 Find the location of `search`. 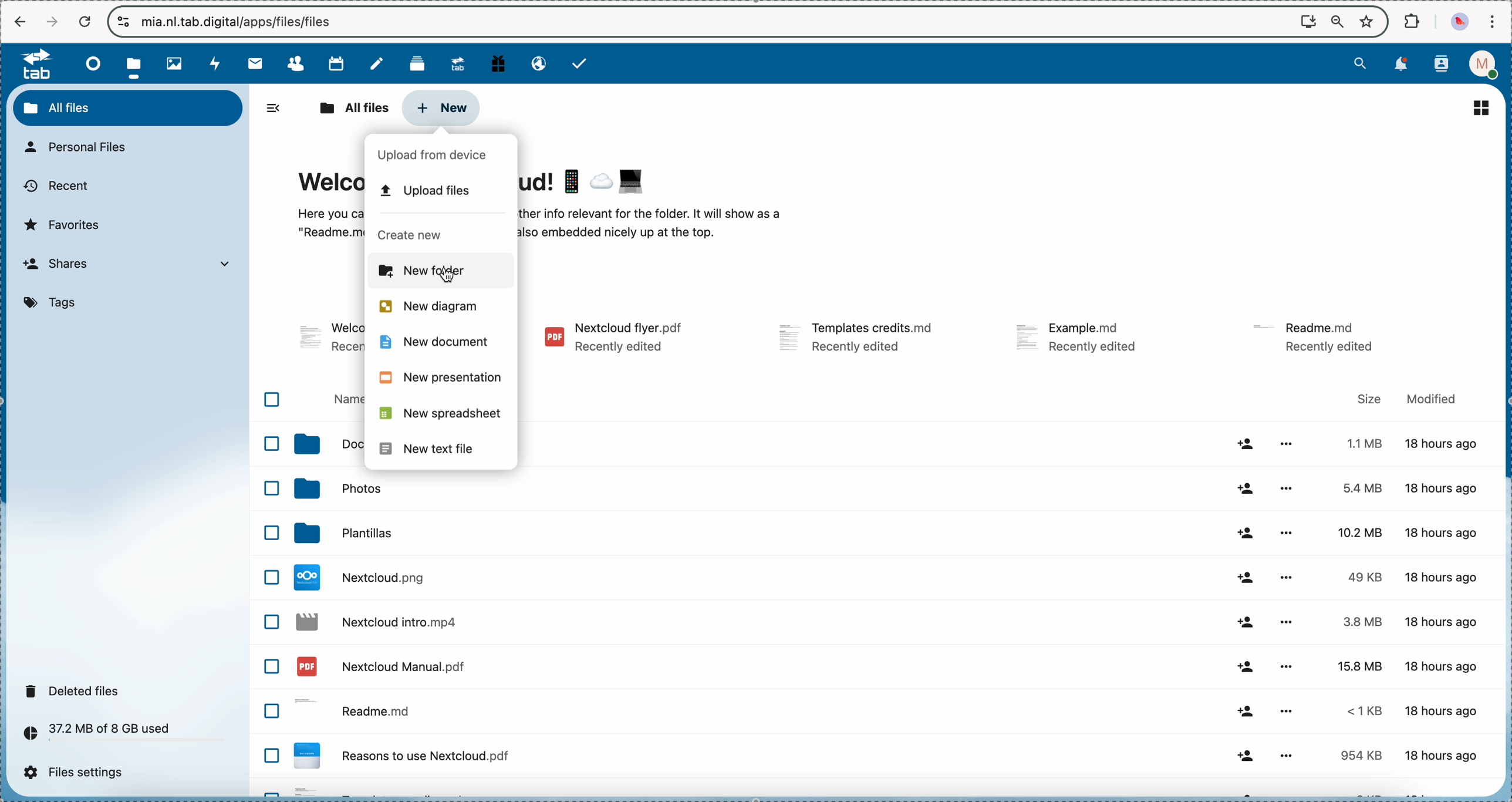

search is located at coordinates (1360, 62).